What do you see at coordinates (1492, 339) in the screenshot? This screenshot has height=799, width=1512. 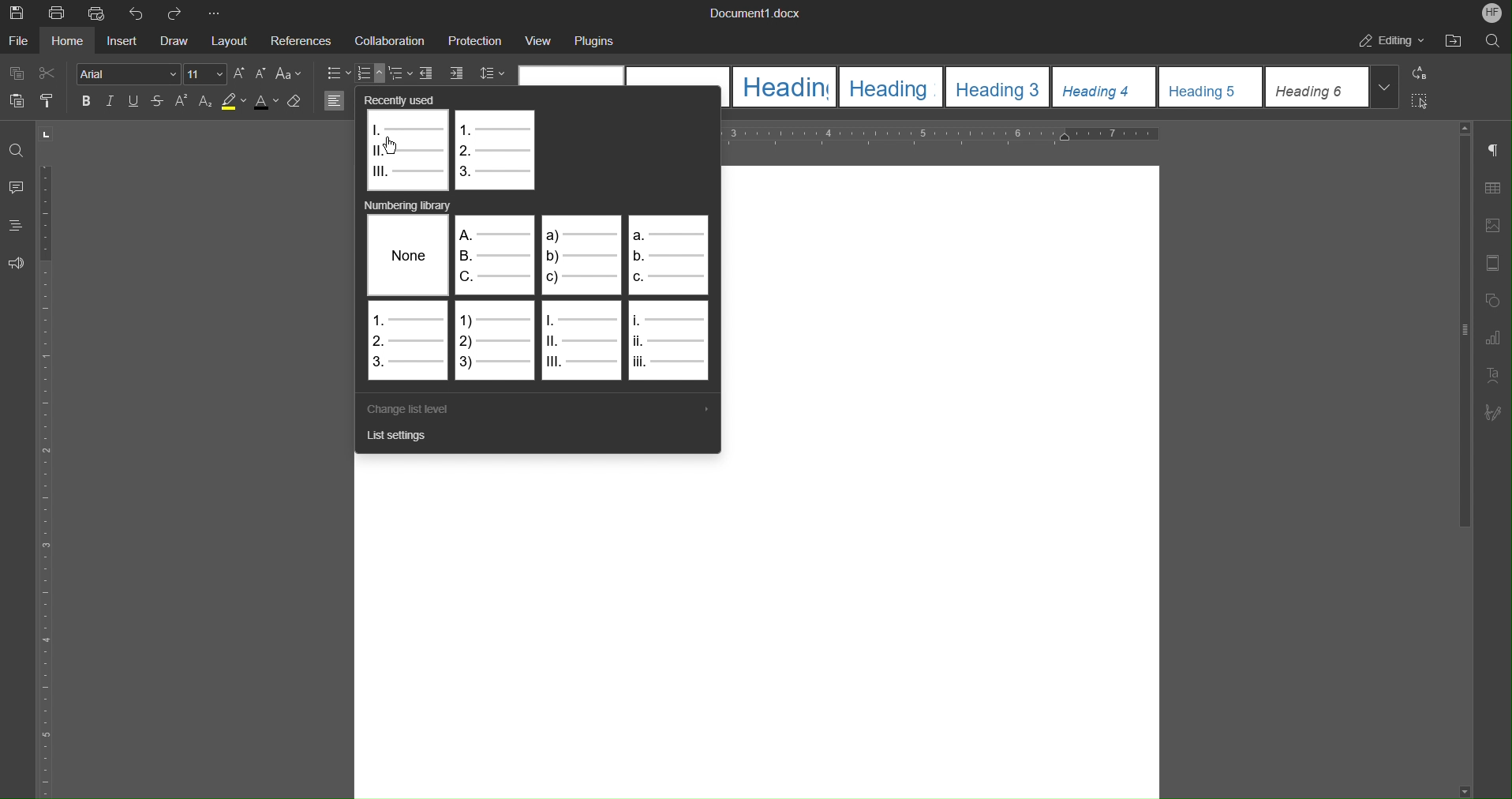 I see `Graph settings` at bounding box center [1492, 339].